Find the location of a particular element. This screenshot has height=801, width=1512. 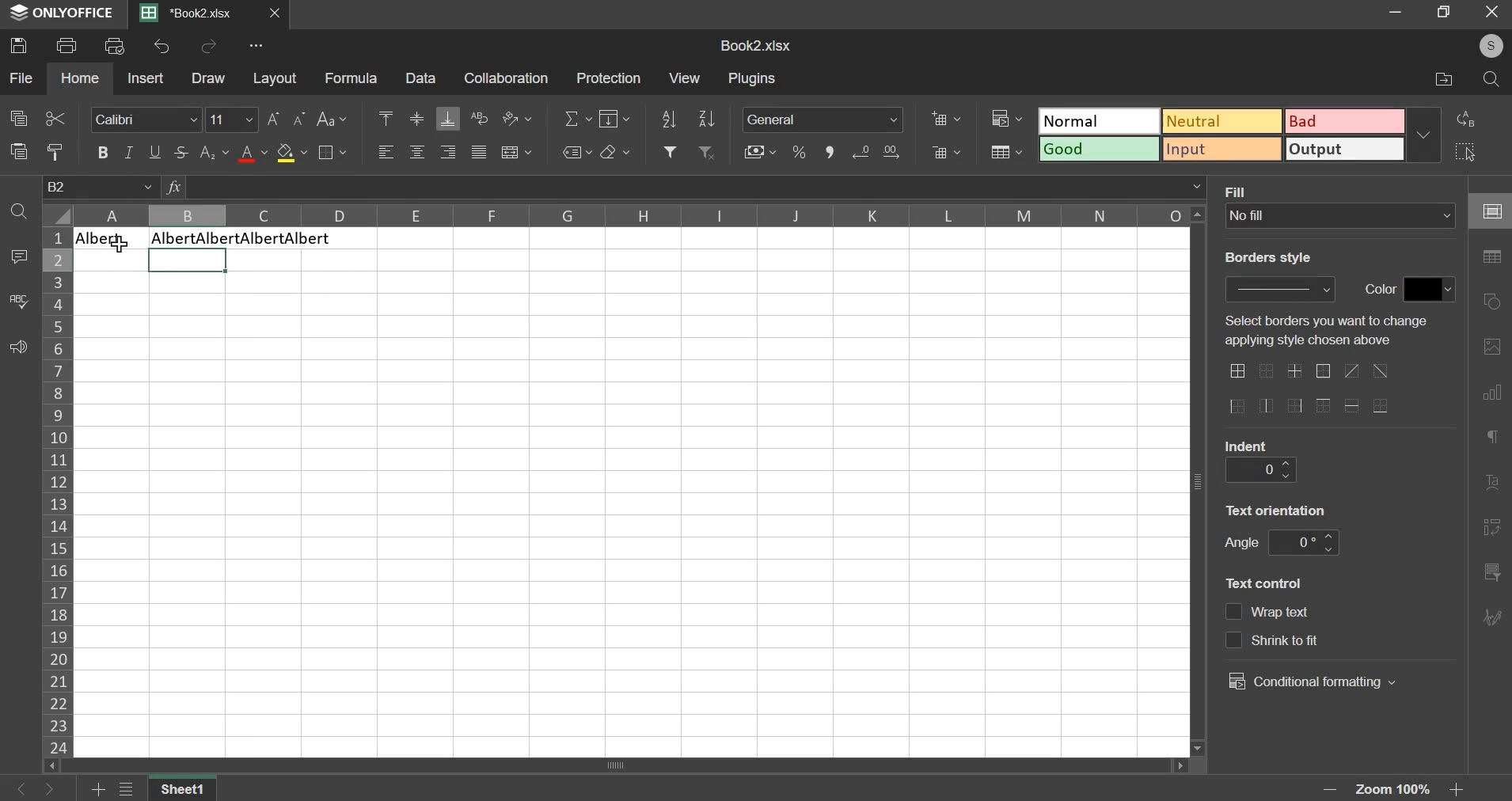

text is located at coordinates (1249, 443).